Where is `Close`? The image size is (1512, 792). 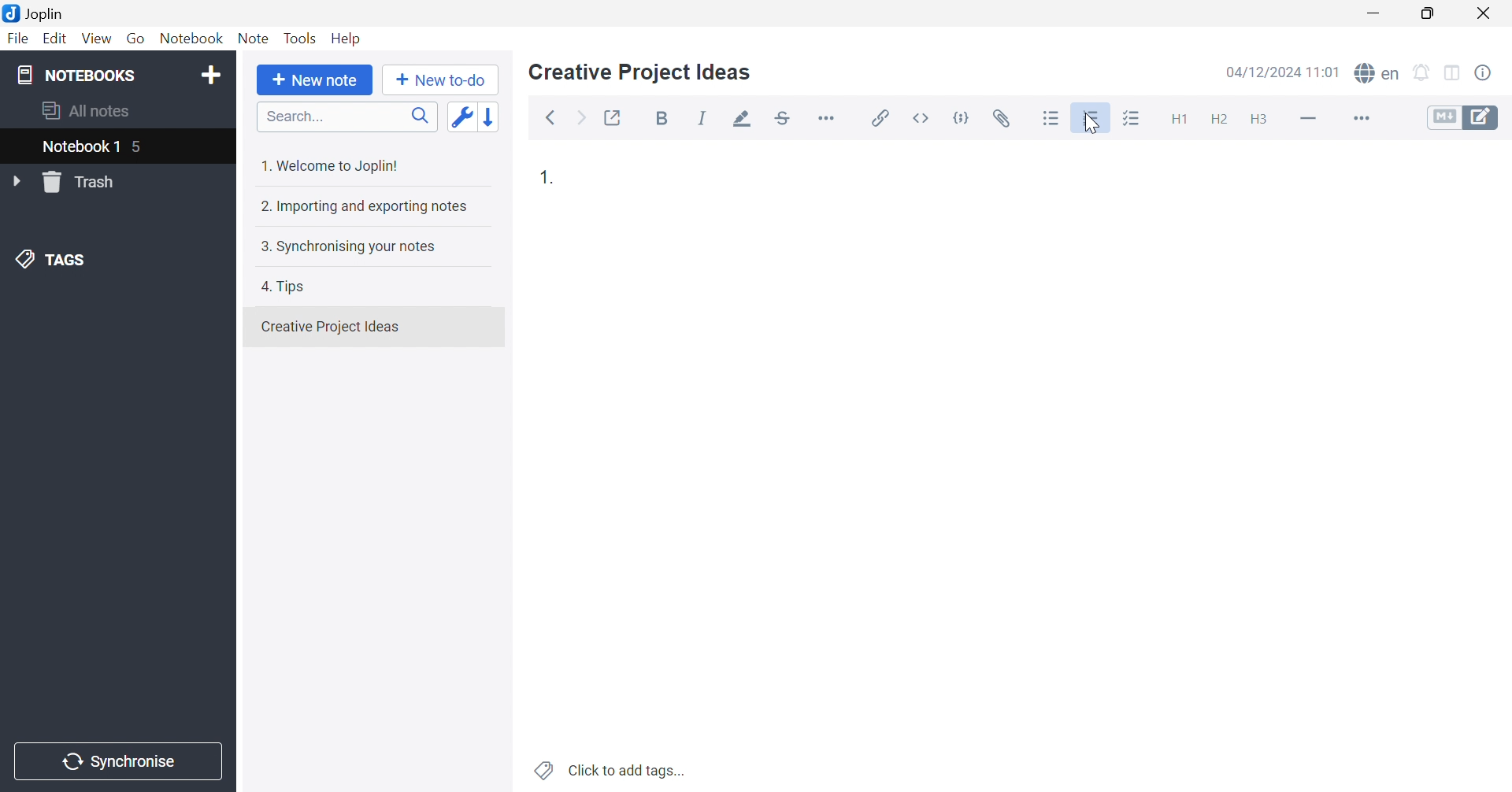 Close is located at coordinates (1487, 14).